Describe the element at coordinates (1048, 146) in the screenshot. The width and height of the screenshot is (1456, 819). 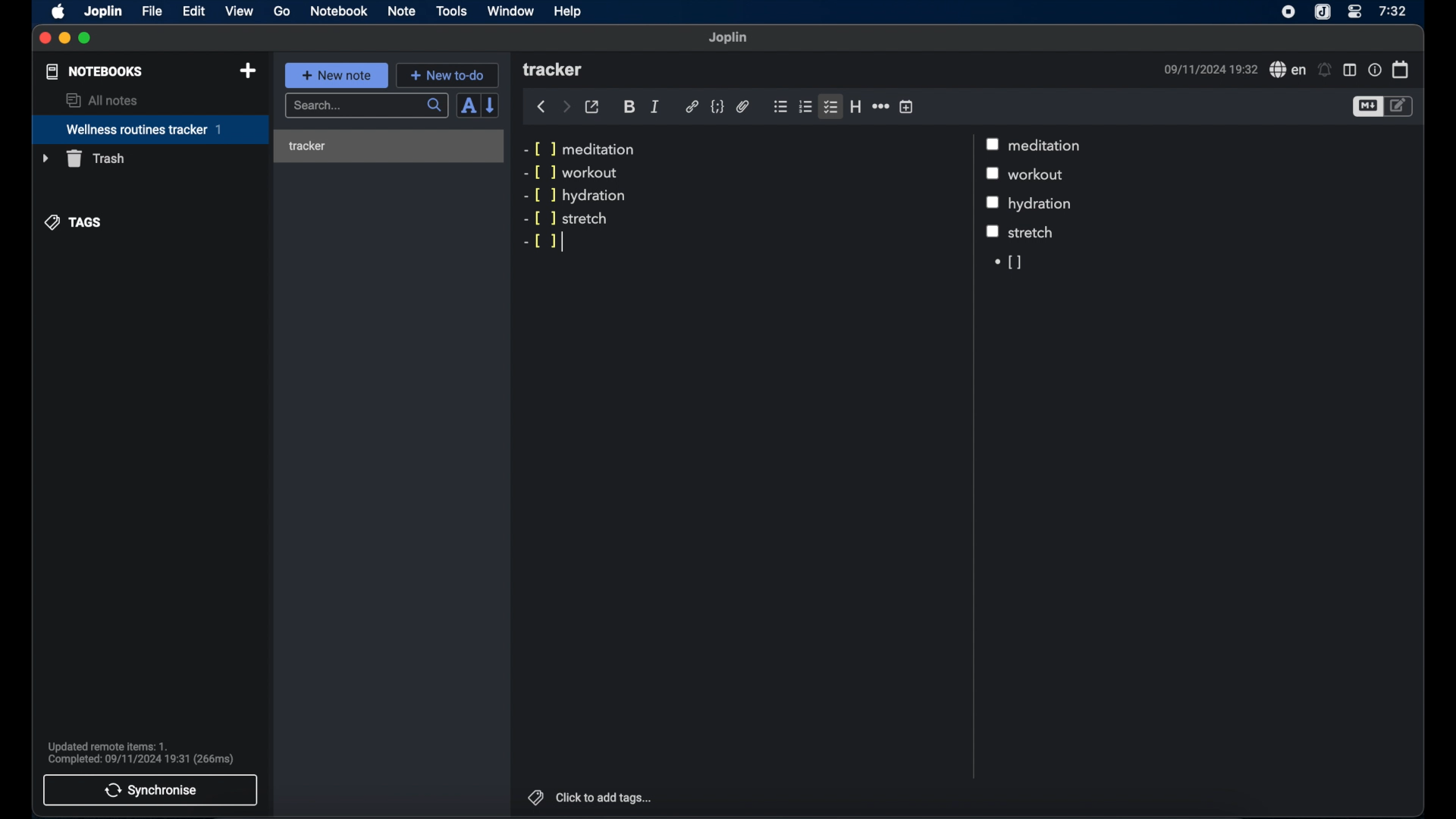
I see `meditation checkbox` at that location.